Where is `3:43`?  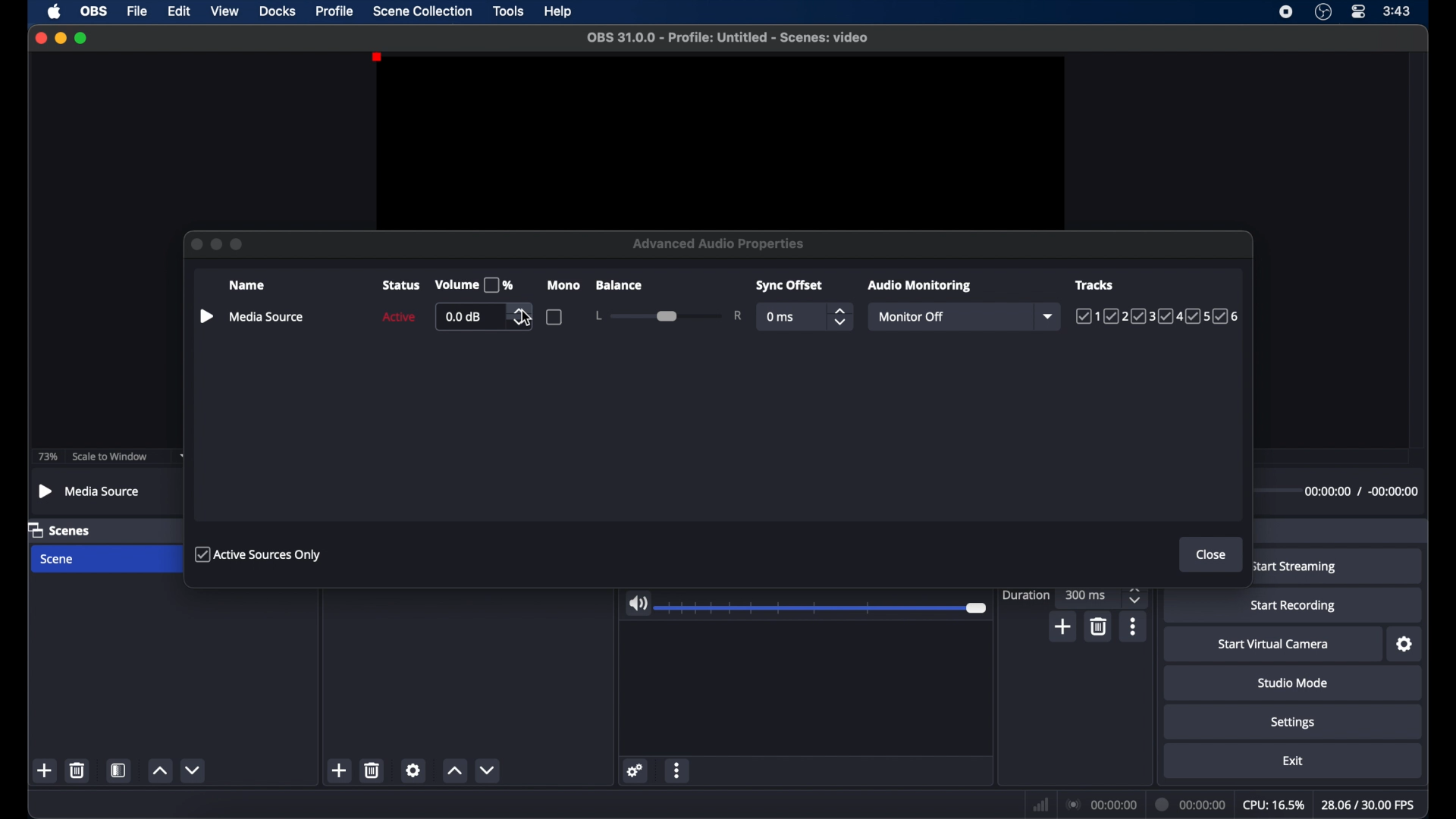
3:43 is located at coordinates (1398, 11).